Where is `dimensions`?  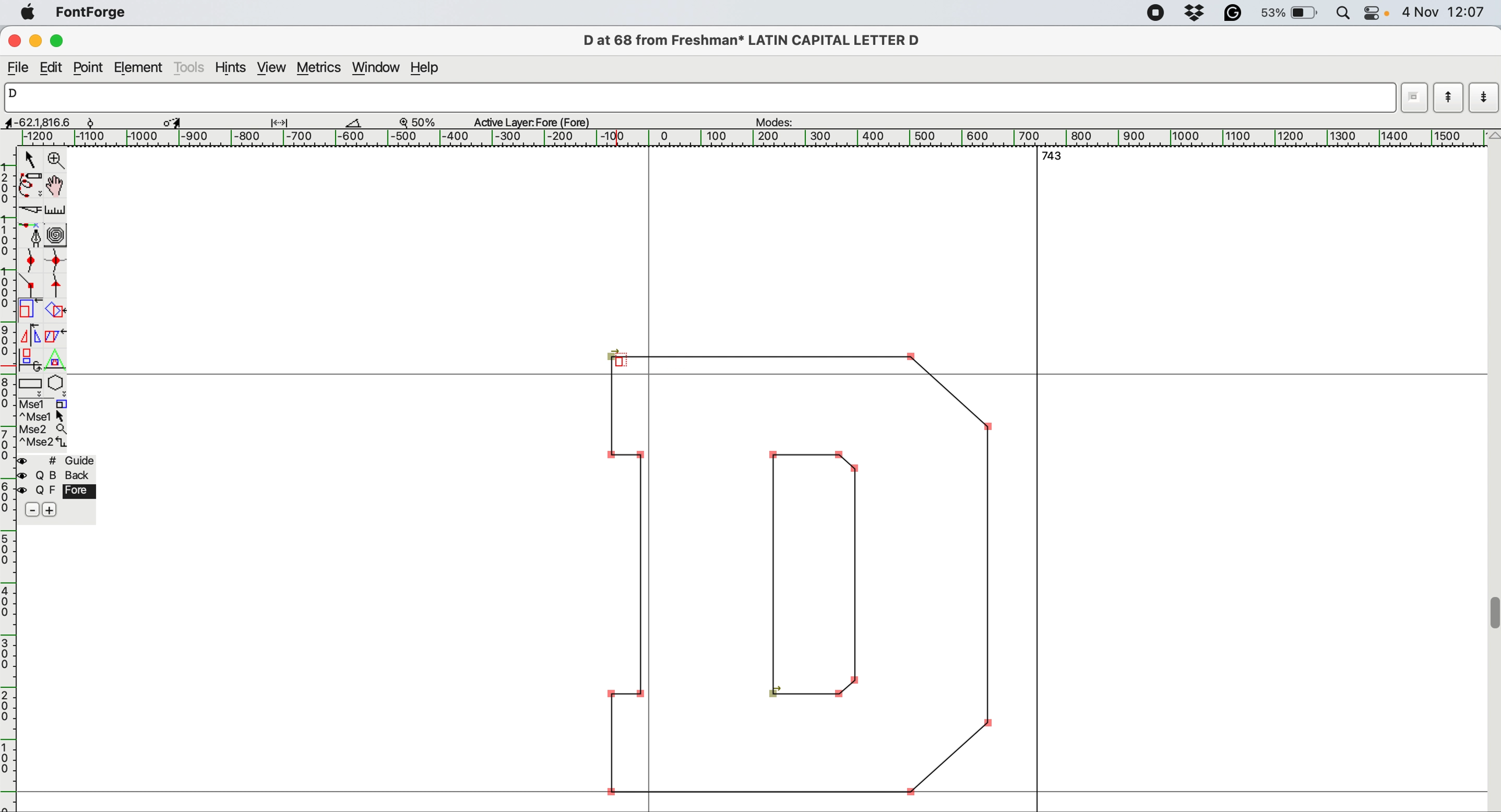
dimensions is located at coordinates (151, 119).